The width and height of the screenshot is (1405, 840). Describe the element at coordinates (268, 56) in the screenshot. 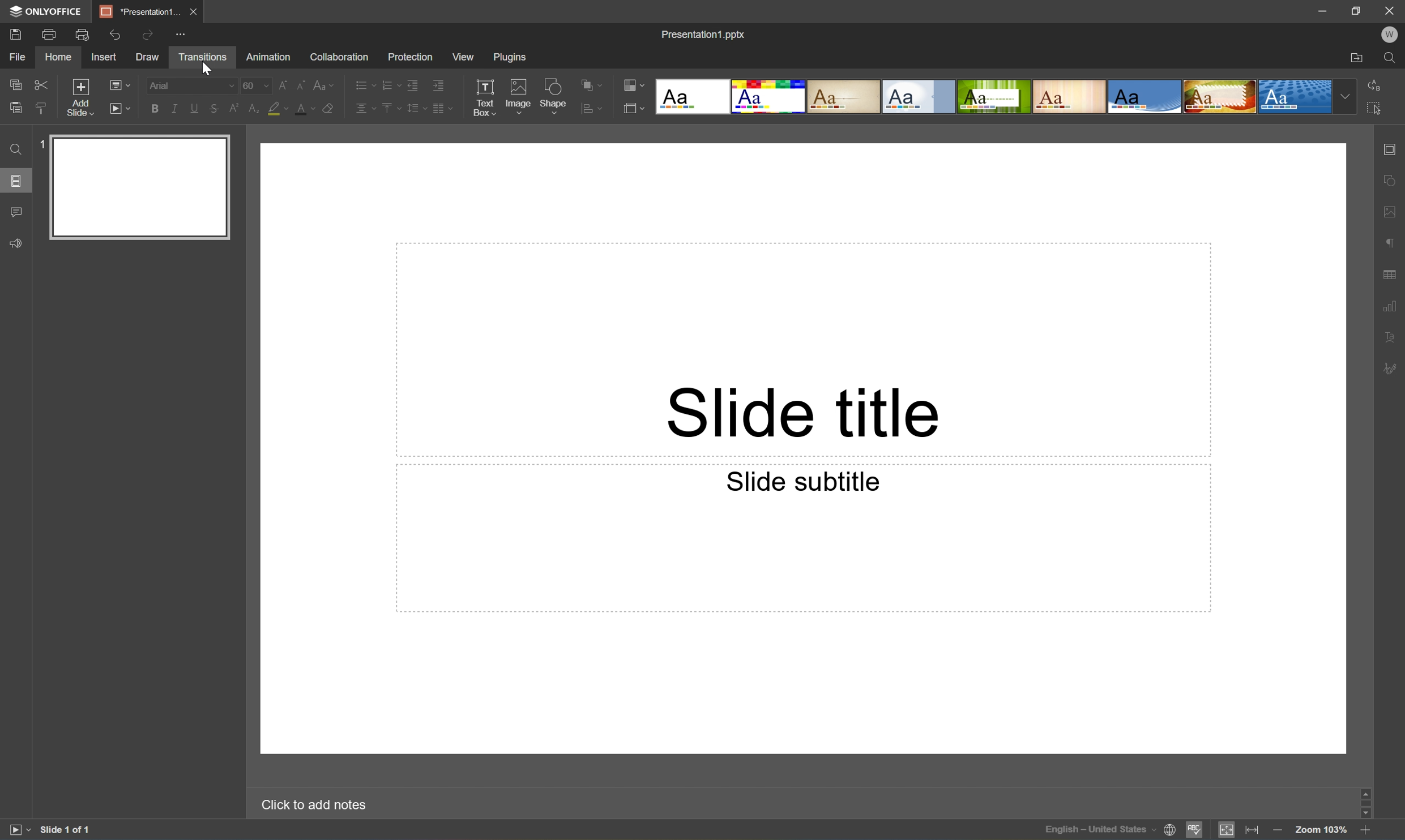

I see `Animation` at that location.